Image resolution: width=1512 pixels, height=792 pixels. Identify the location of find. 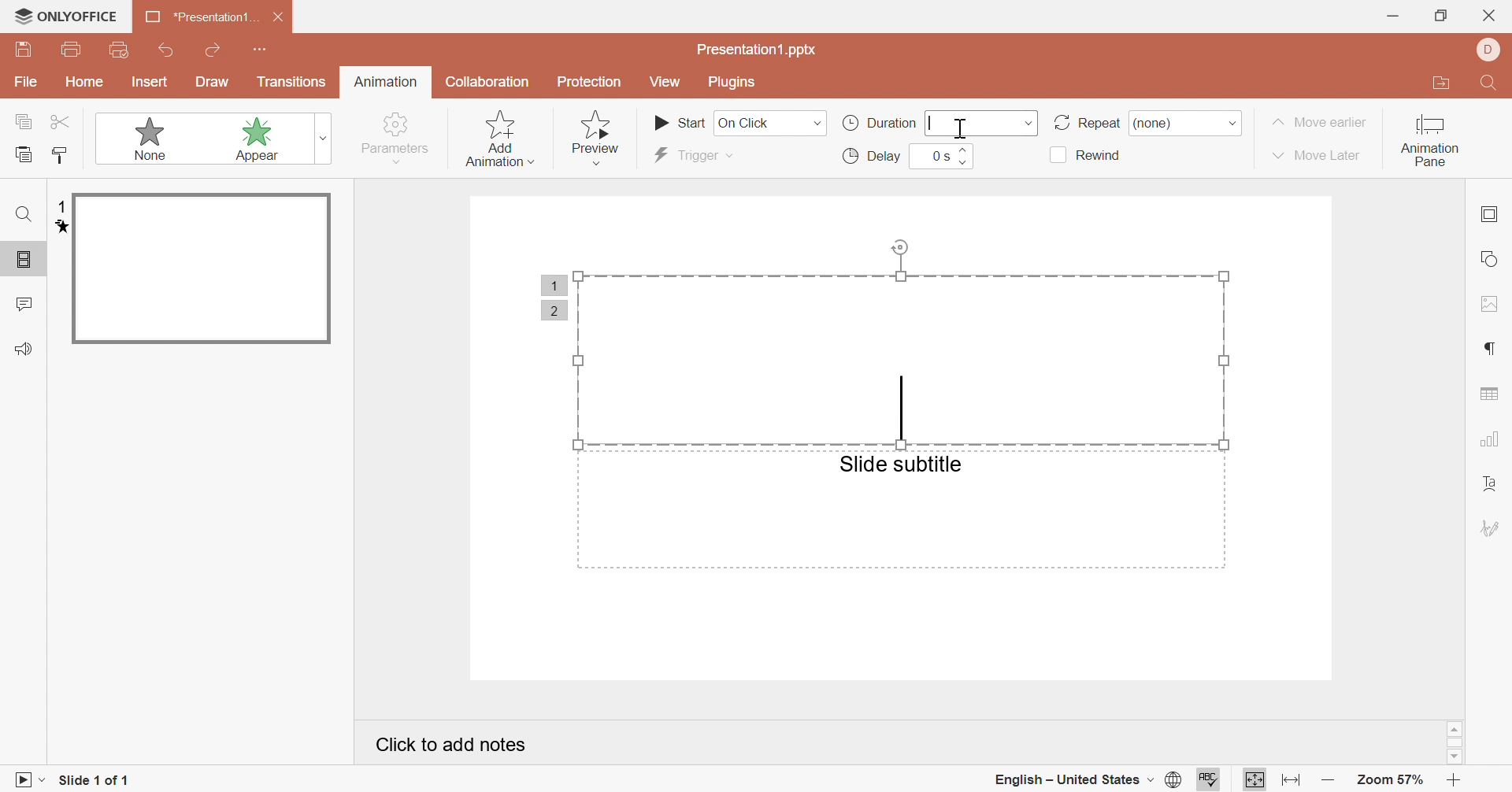
(26, 213).